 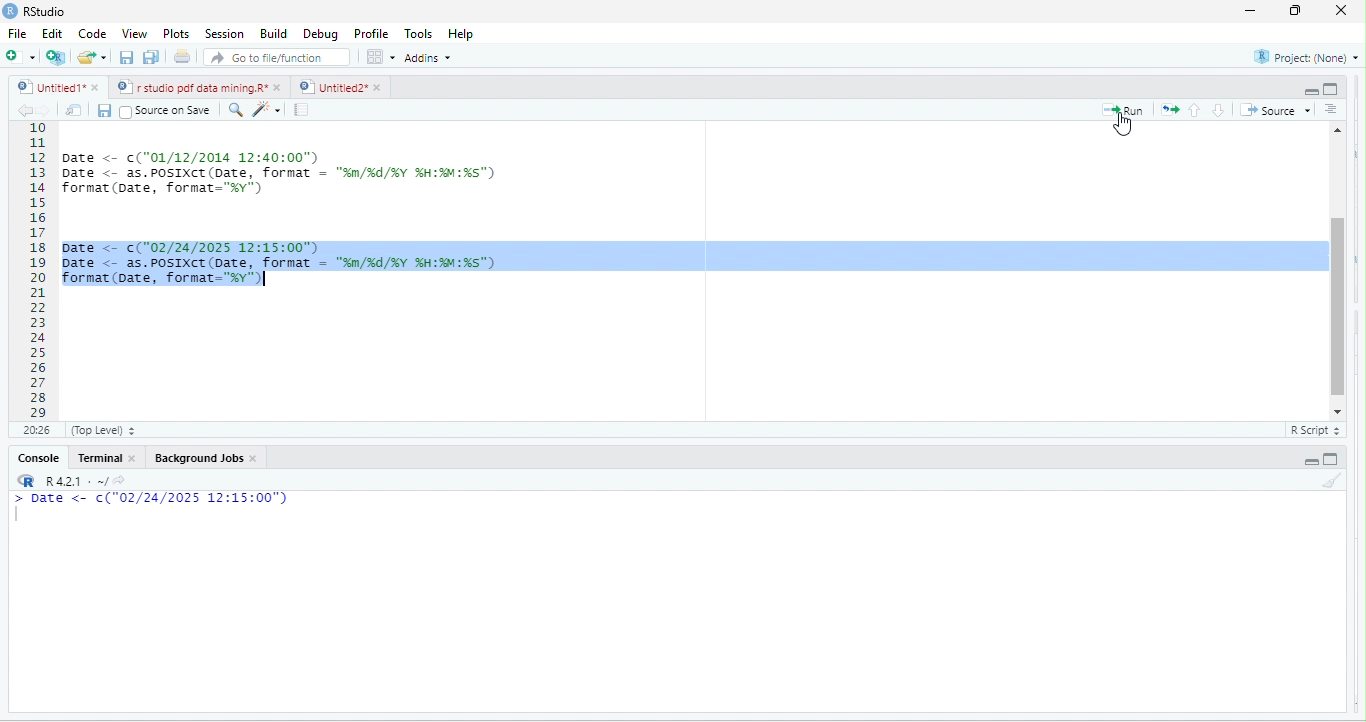 I want to click on vertical scroll bar, so click(x=1337, y=268).